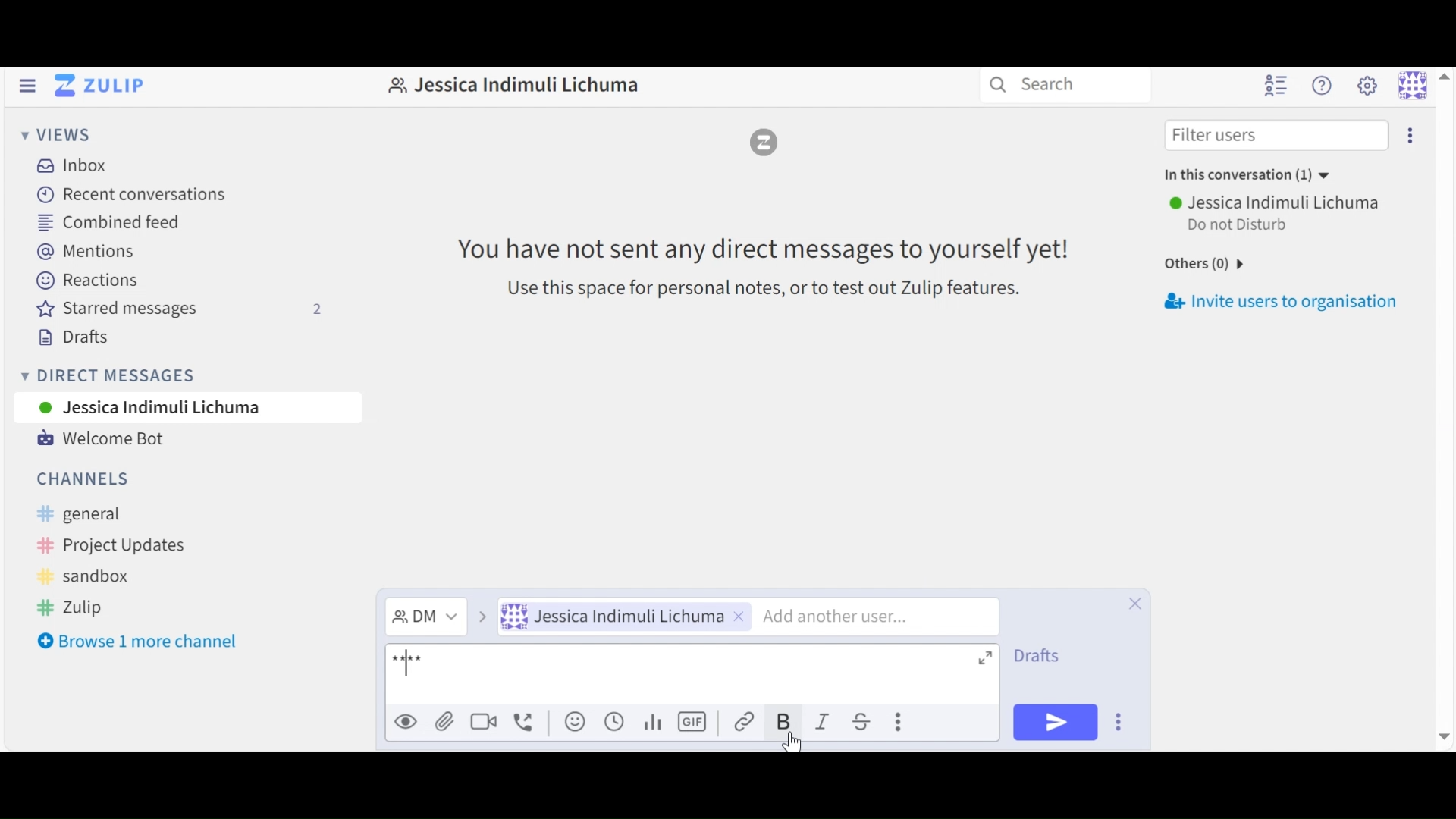  What do you see at coordinates (87, 281) in the screenshot?
I see `Reactions` at bounding box center [87, 281].